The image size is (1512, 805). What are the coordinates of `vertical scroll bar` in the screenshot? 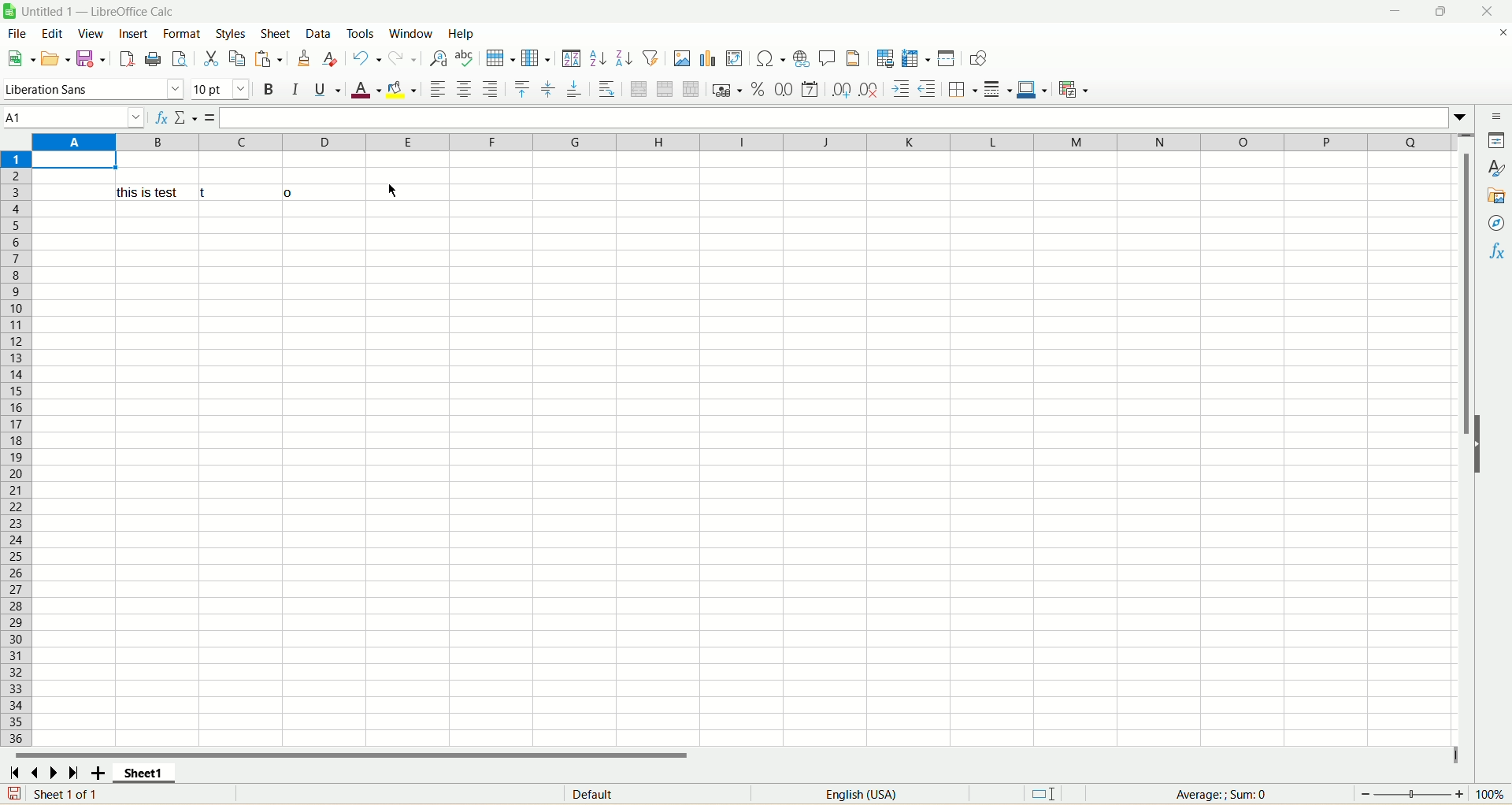 It's located at (1462, 460).